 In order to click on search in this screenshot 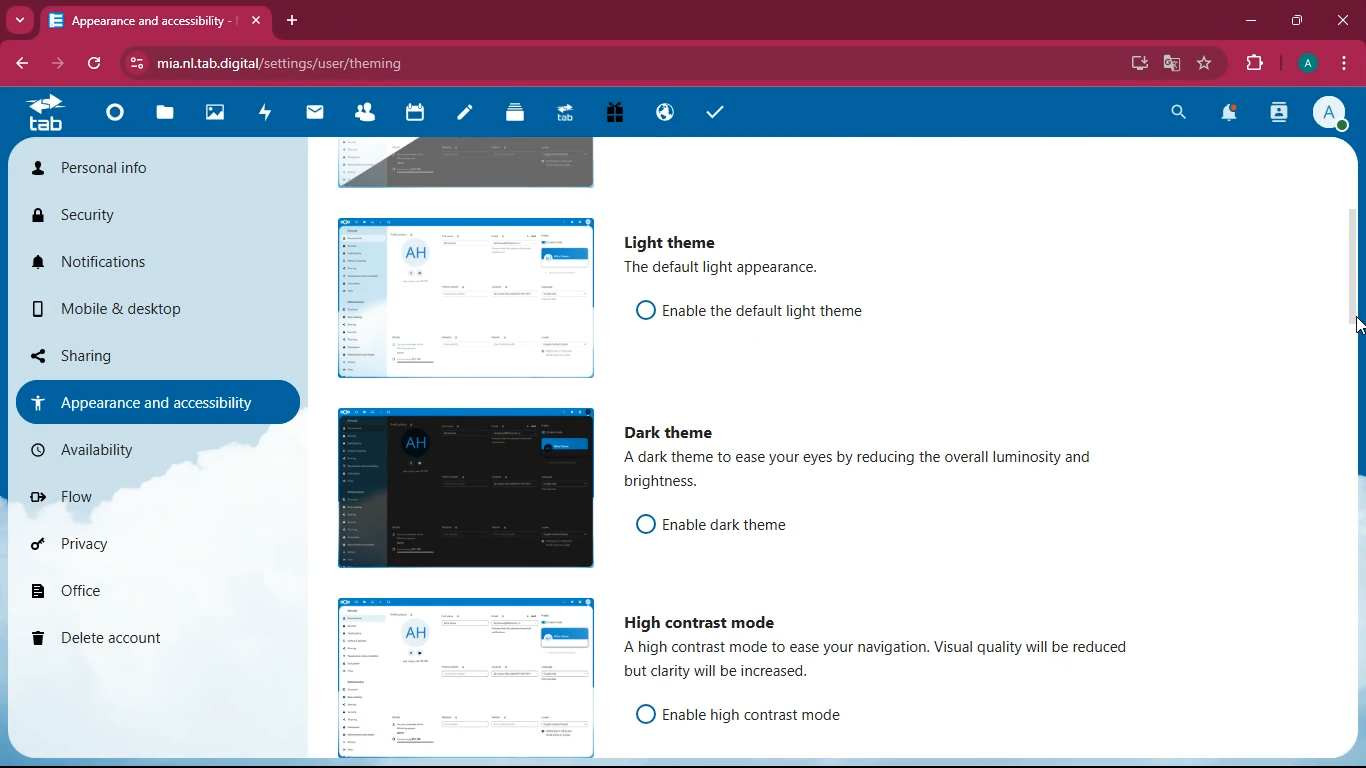, I will do `click(1180, 114)`.